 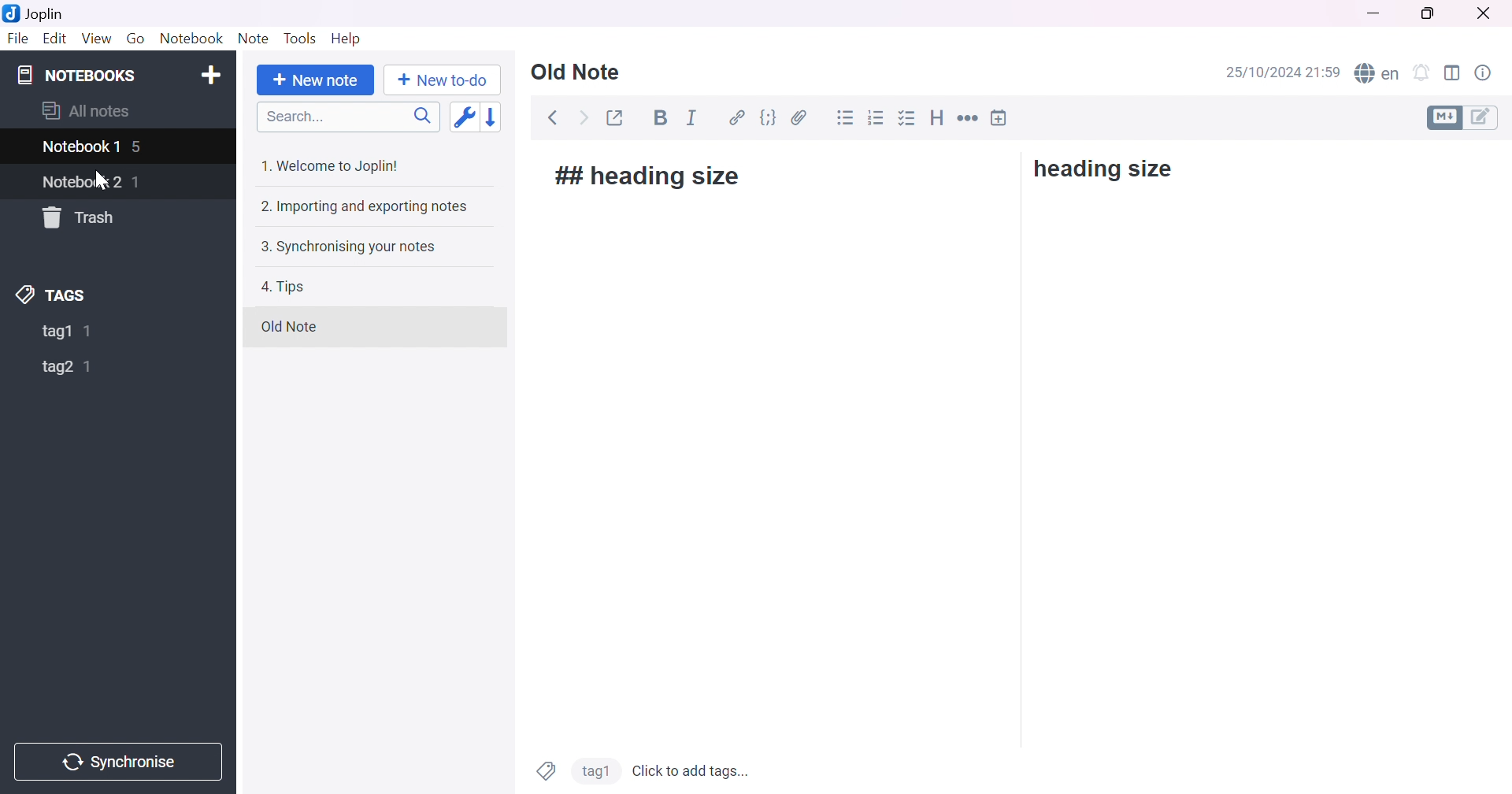 I want to click on NOTEBOOKS, so click(x=74, y=73).